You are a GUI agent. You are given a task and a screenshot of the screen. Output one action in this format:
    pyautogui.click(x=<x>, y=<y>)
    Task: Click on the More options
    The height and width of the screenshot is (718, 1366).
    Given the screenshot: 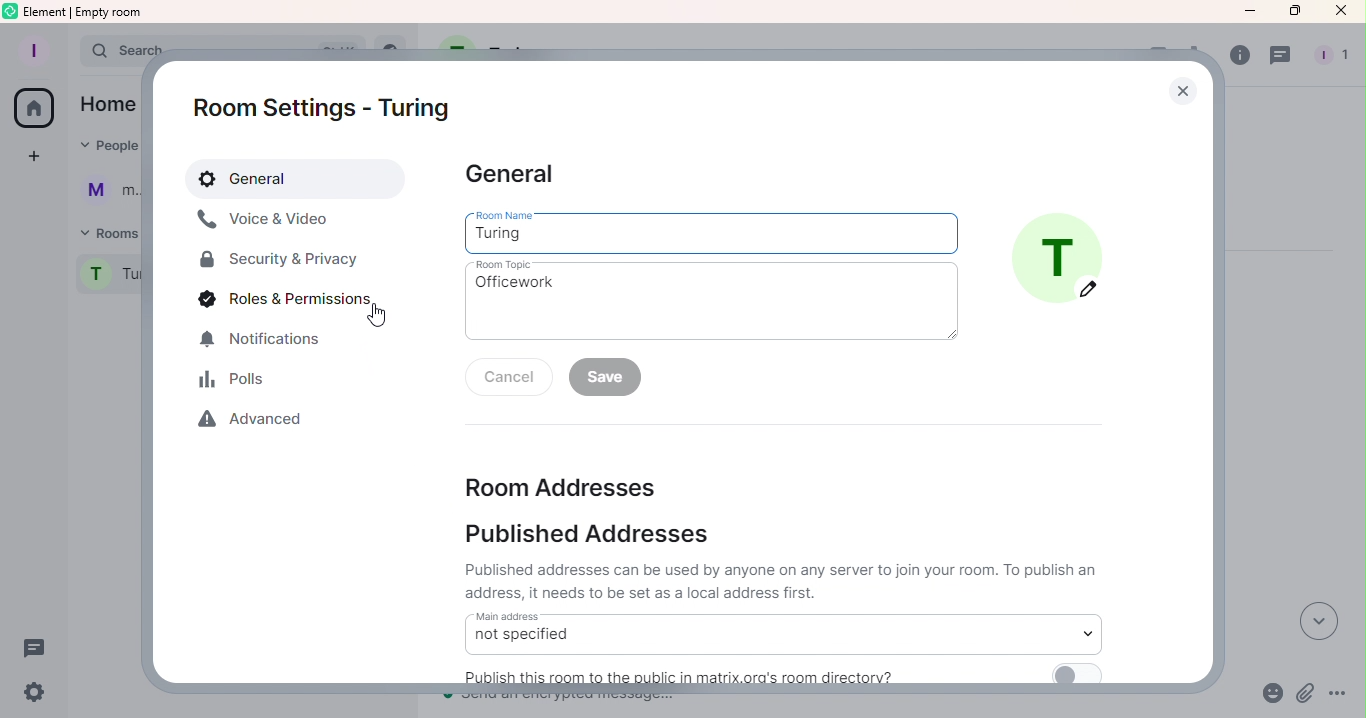 What is the action you would take?
    pyautogui.click(x=1336, y=696)
    